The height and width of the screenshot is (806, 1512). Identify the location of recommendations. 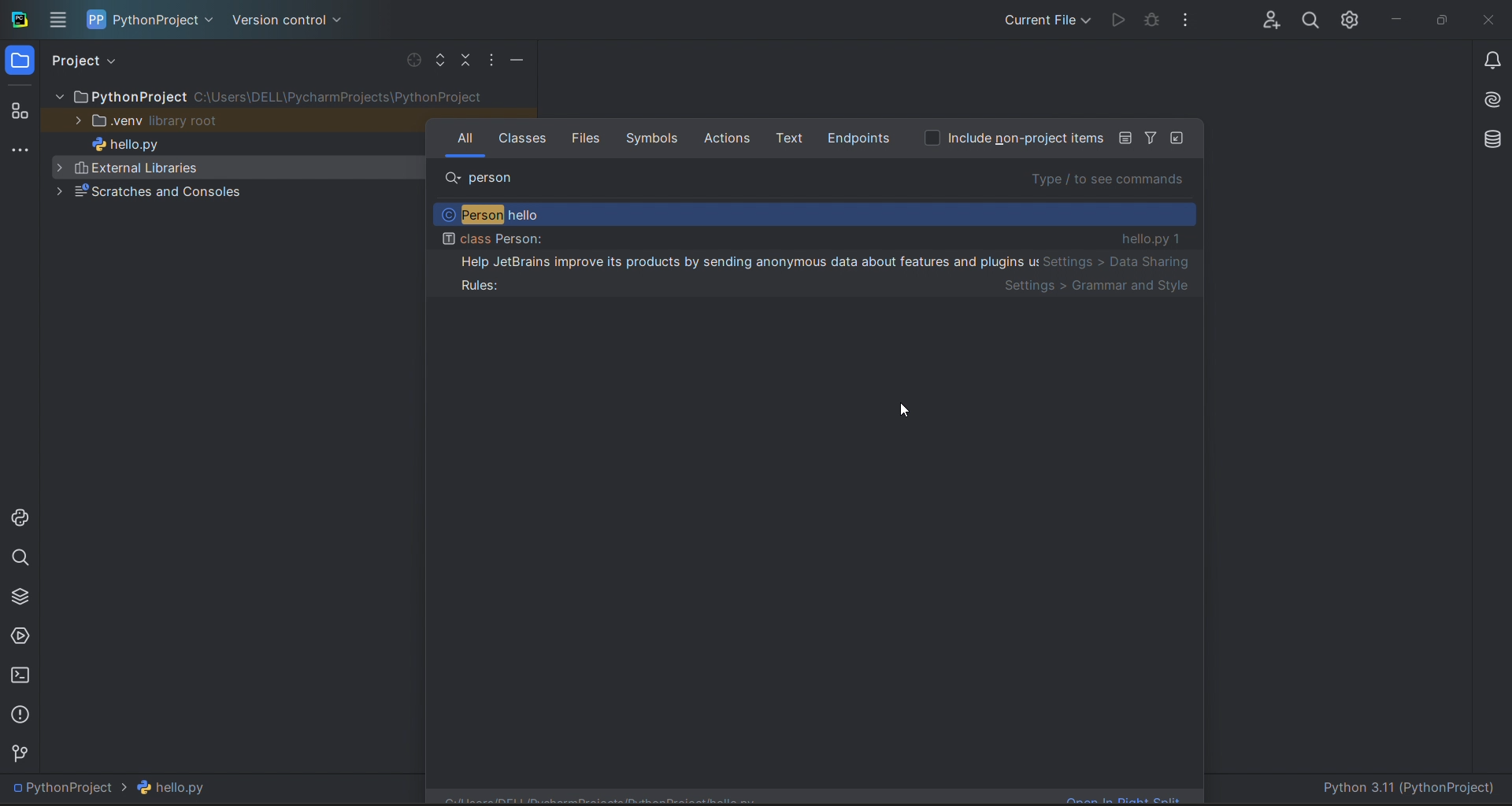
(813, 213).